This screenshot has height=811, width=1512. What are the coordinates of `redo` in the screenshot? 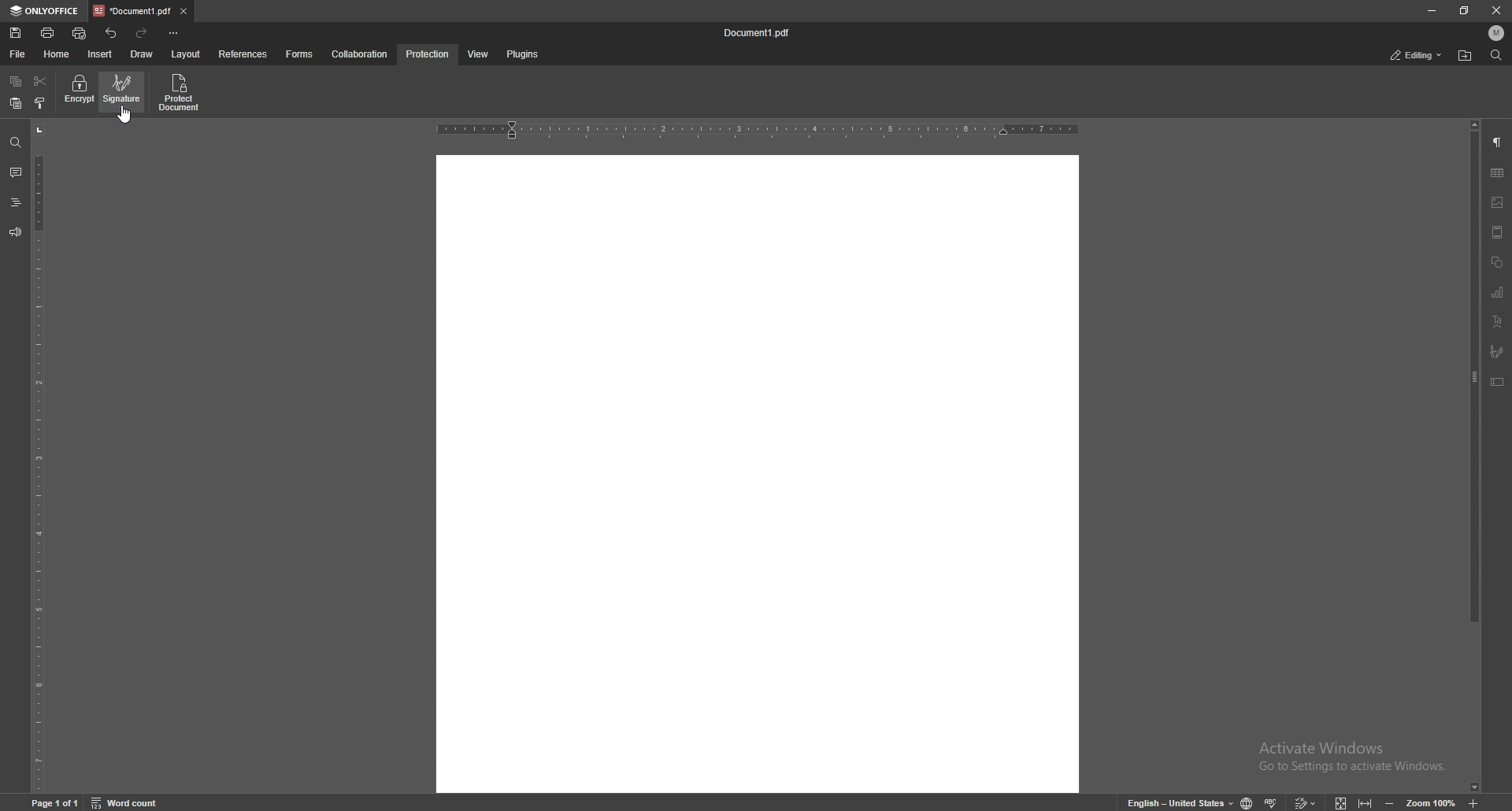 It's located at (143, 33).